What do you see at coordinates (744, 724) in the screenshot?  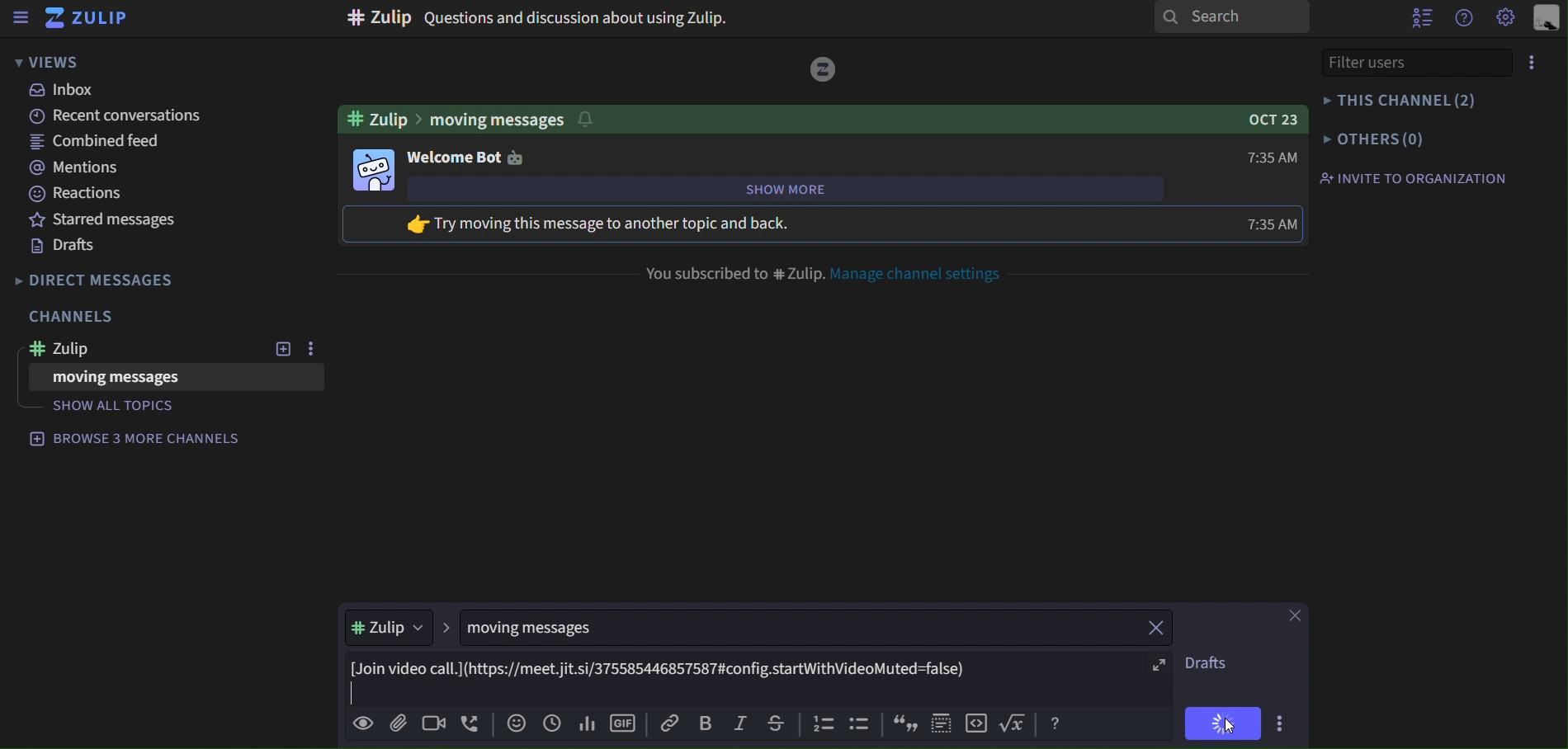 I see `italic` at bounding box center [744, 724].